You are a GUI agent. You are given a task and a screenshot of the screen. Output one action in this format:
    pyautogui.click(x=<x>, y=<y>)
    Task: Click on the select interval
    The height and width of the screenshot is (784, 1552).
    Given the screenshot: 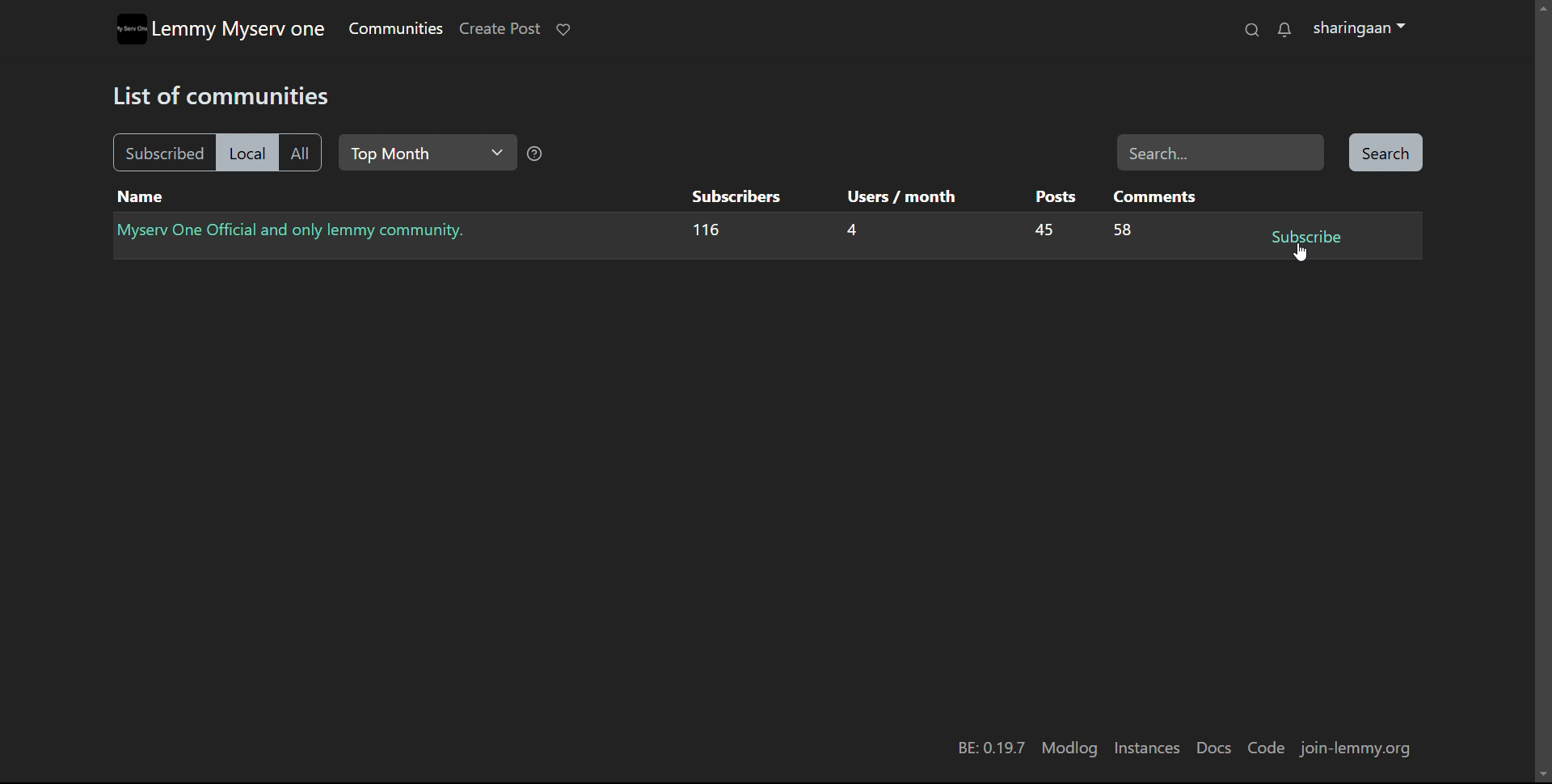 What is the action you would take?
    pyautogui.click(x=427, y=153)
    